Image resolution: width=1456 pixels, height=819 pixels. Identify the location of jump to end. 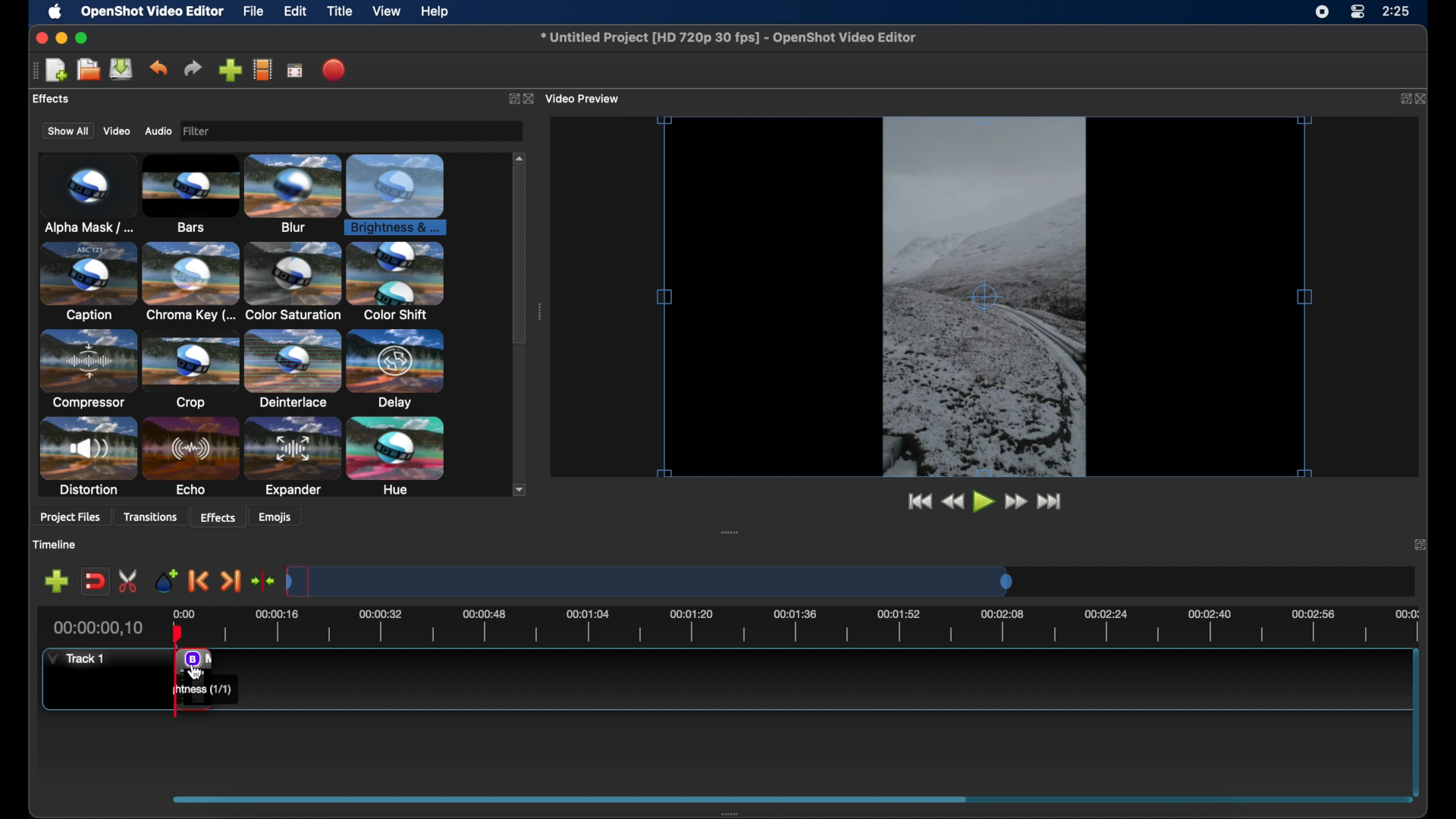
(1050, 500).